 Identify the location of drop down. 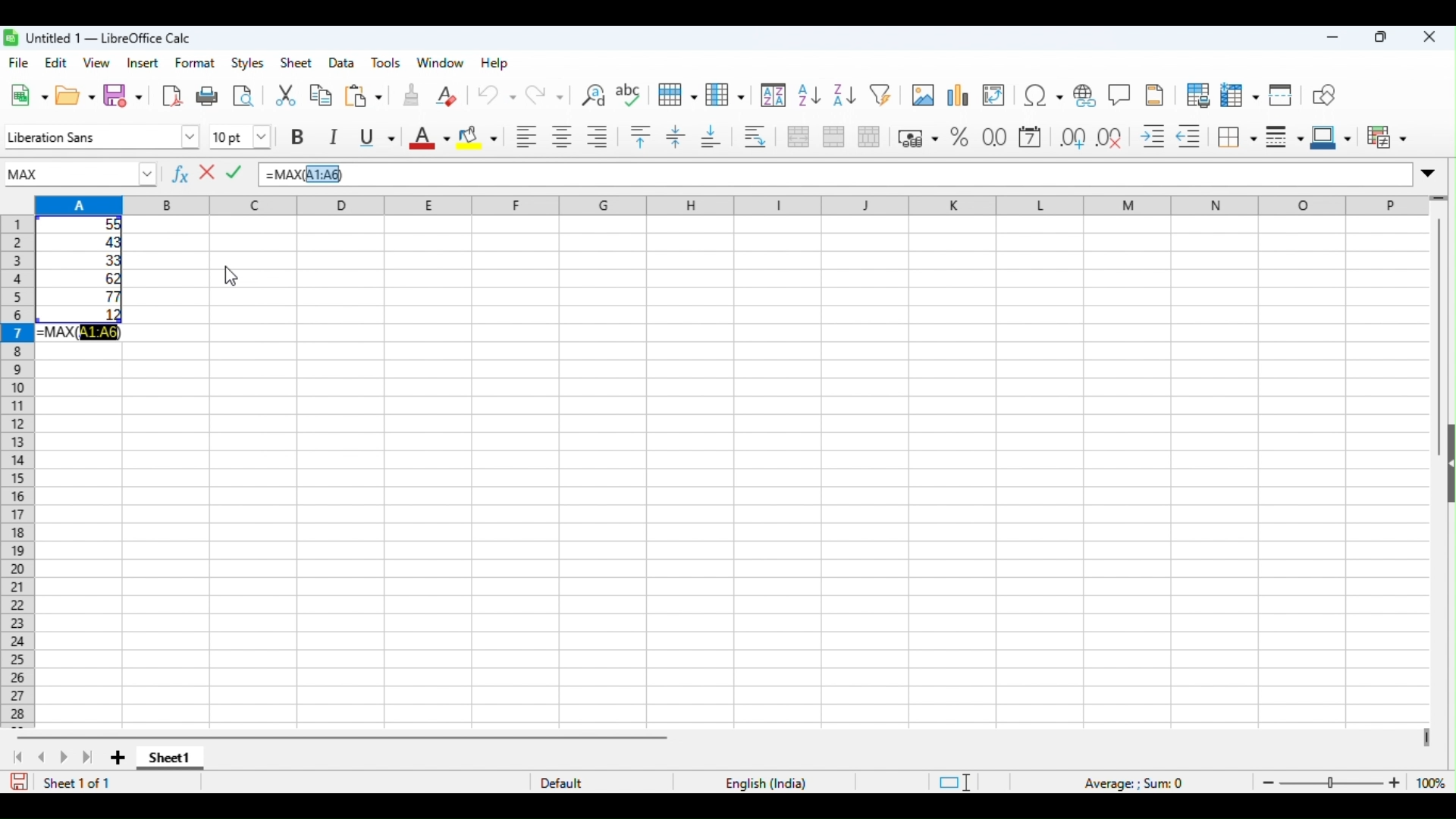
(155, 173).